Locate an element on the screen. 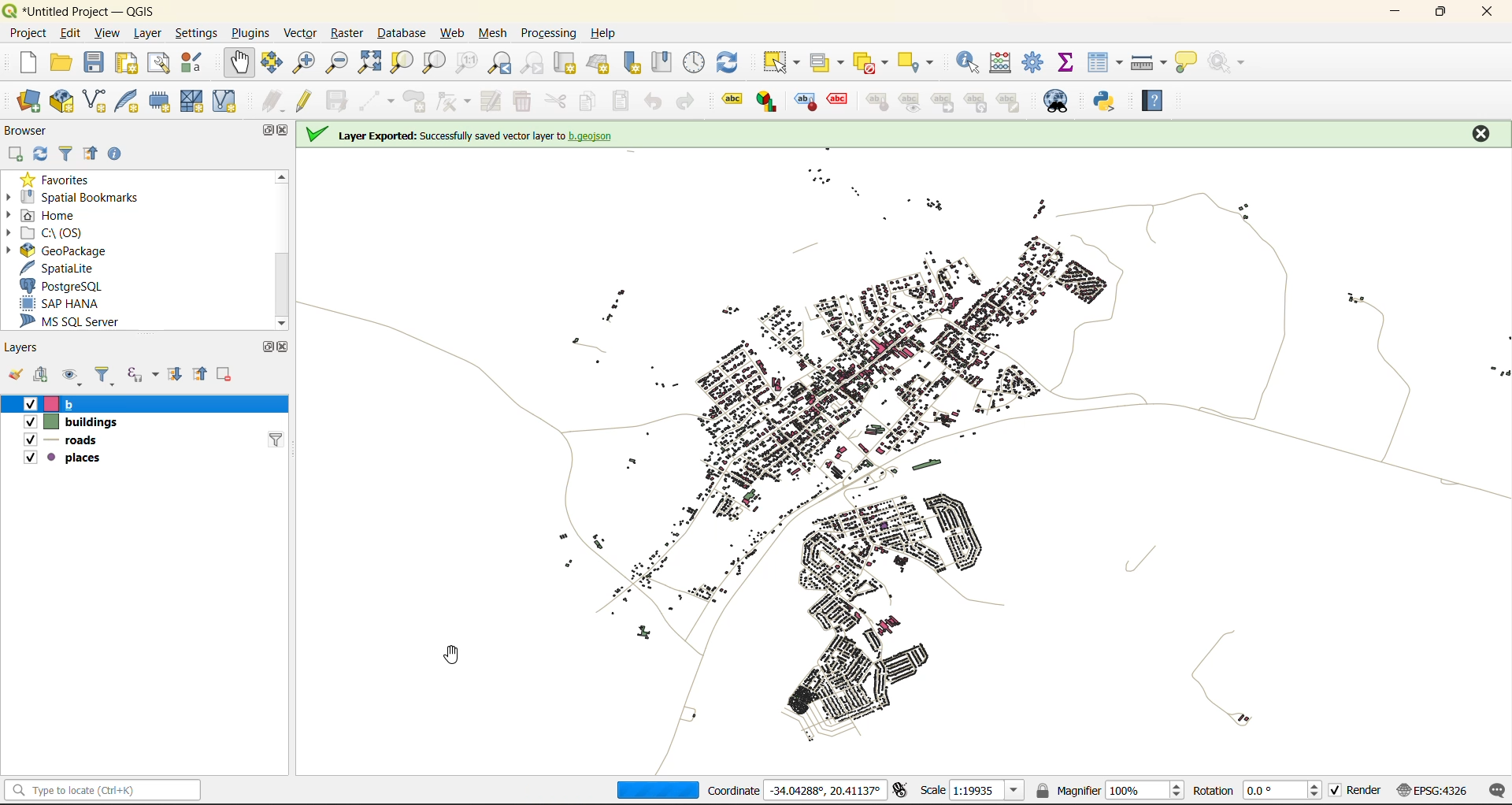 The image size is (1512, 805). magnifier is located at coordinates (1109, 792).